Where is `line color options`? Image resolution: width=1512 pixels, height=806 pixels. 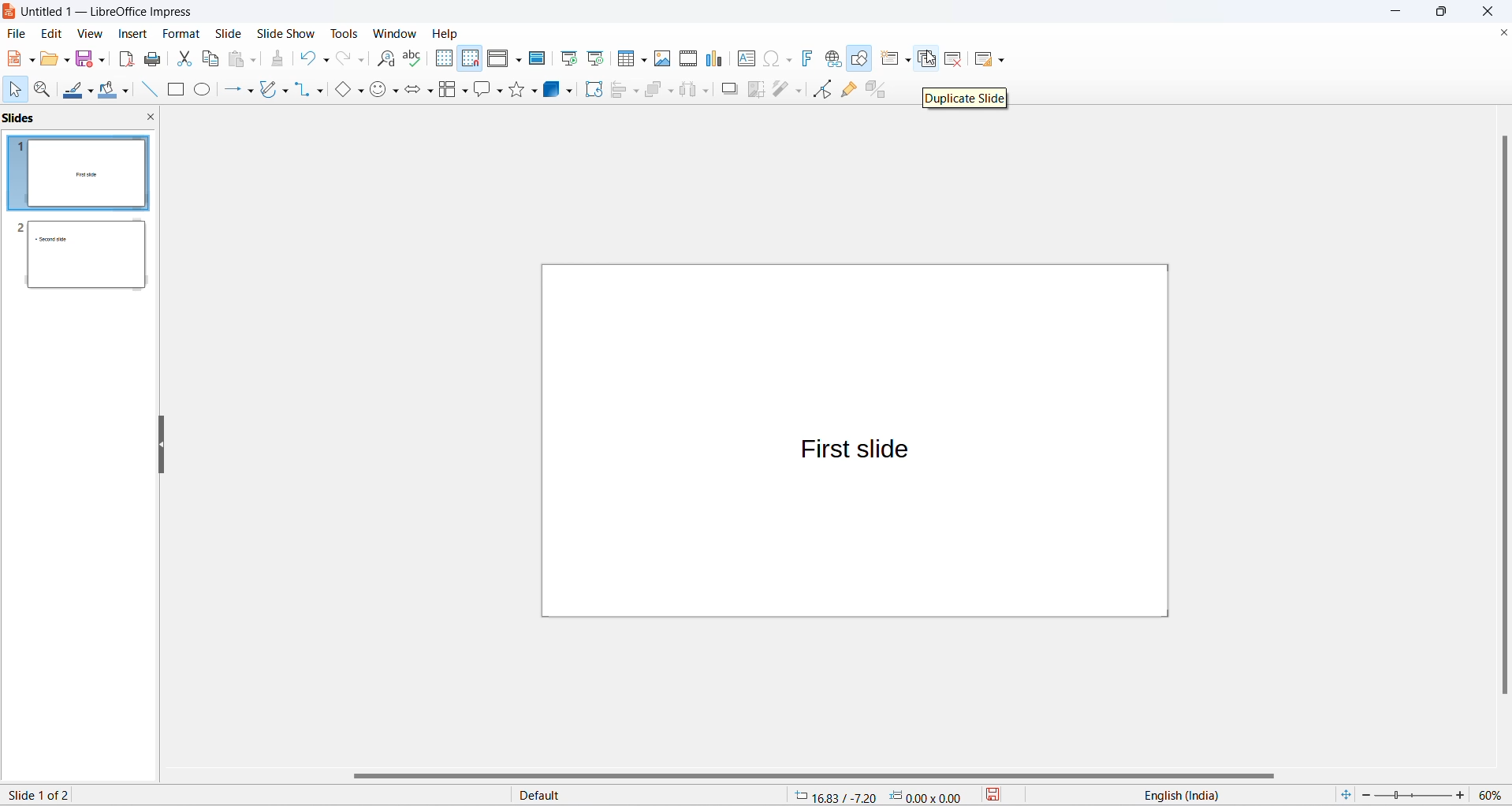
line color options is located at coordinates (89, 89).